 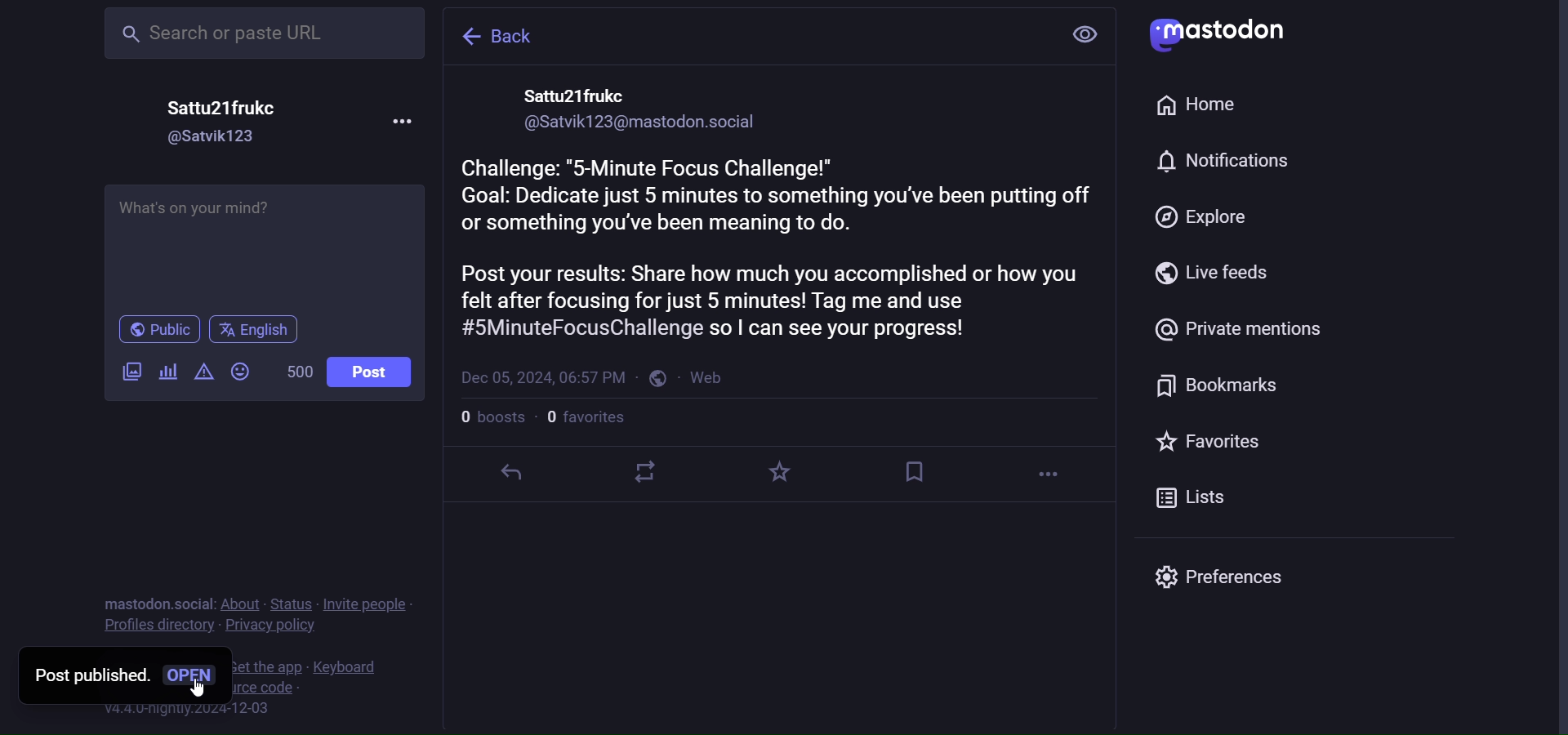 I want to click on public, so click(x=657, y=381).